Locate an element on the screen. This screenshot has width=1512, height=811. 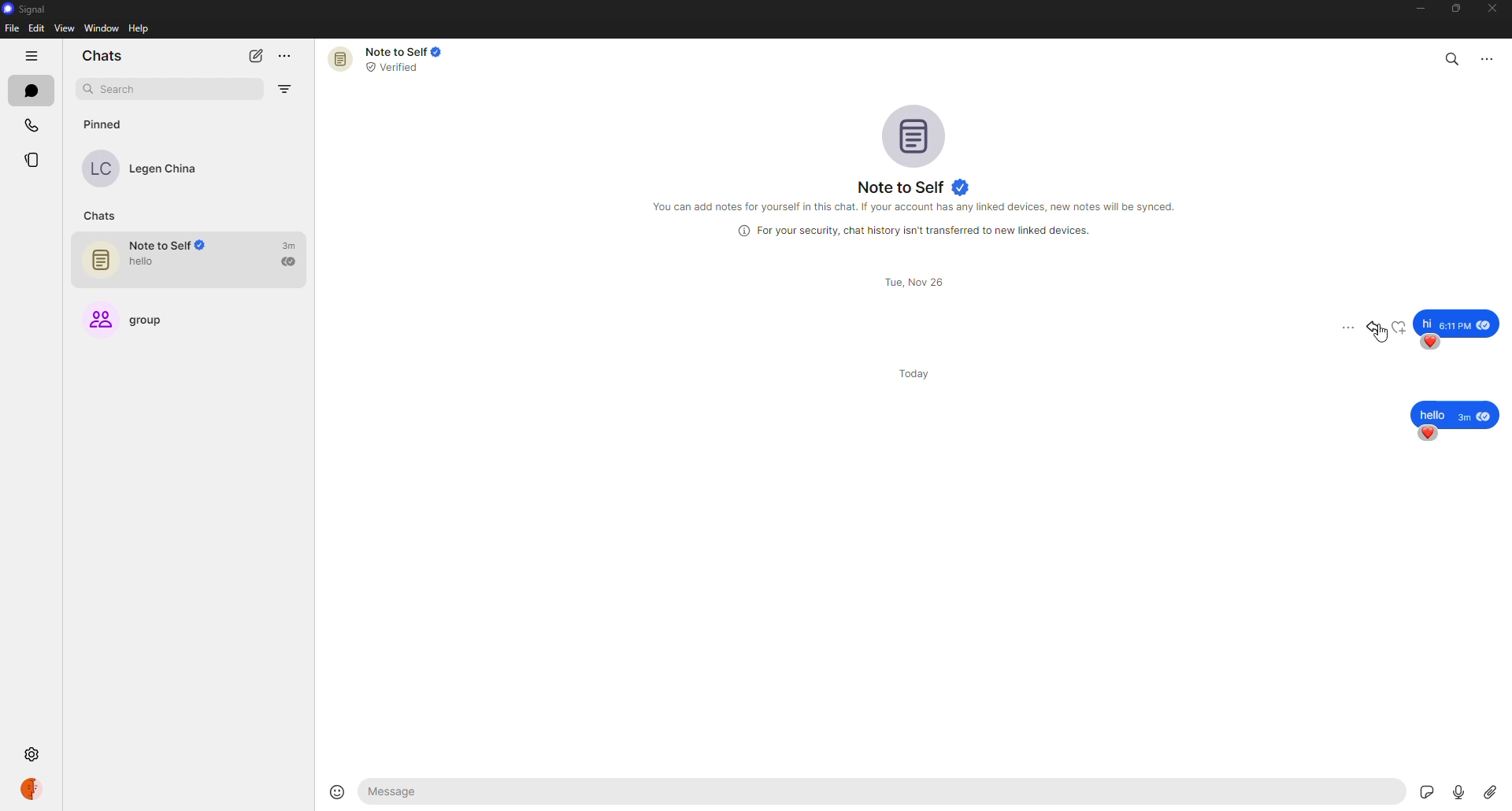
note to self is located at coordinates (914, 184).